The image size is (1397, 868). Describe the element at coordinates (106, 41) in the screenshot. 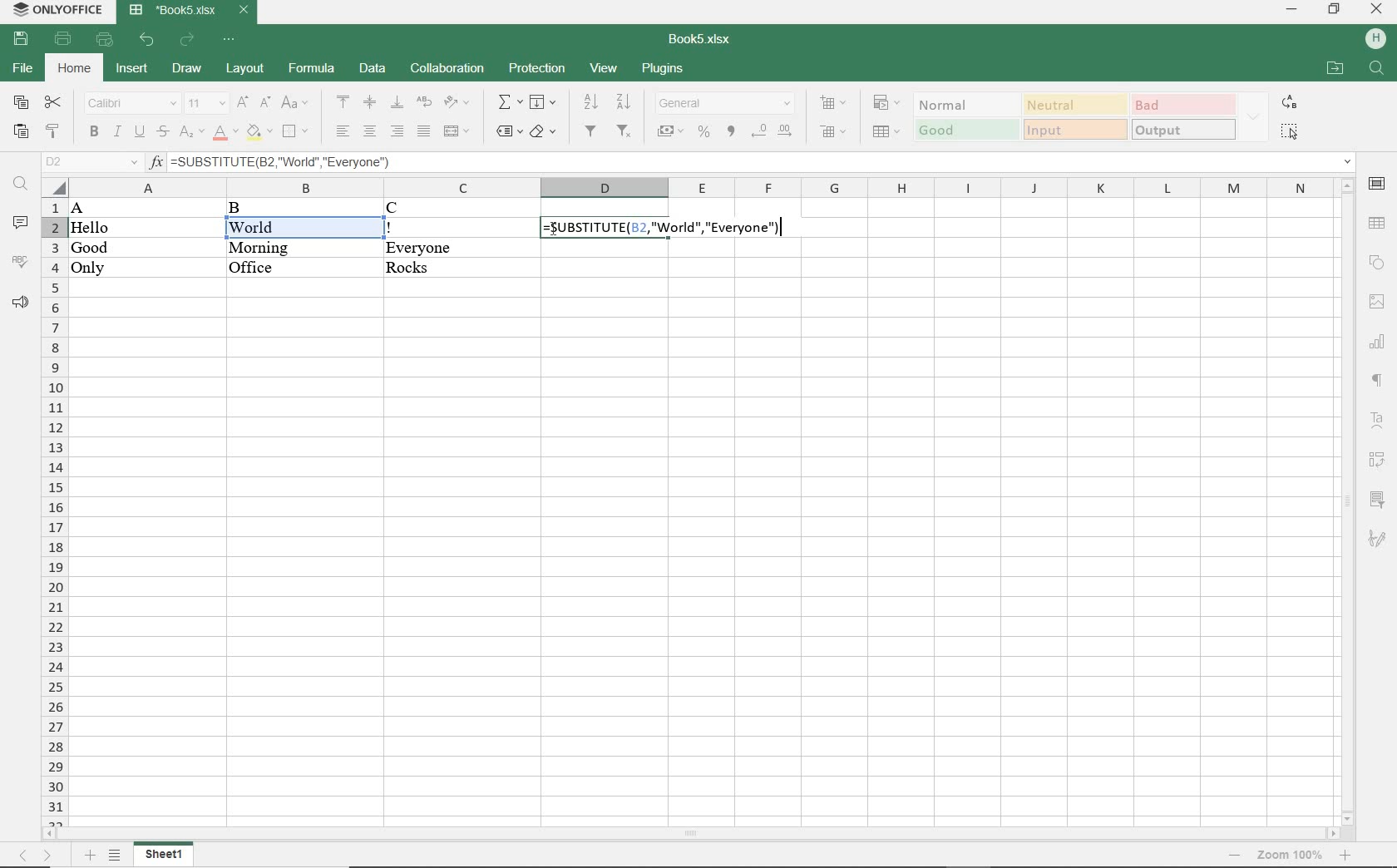

I see `quick print` at that location.